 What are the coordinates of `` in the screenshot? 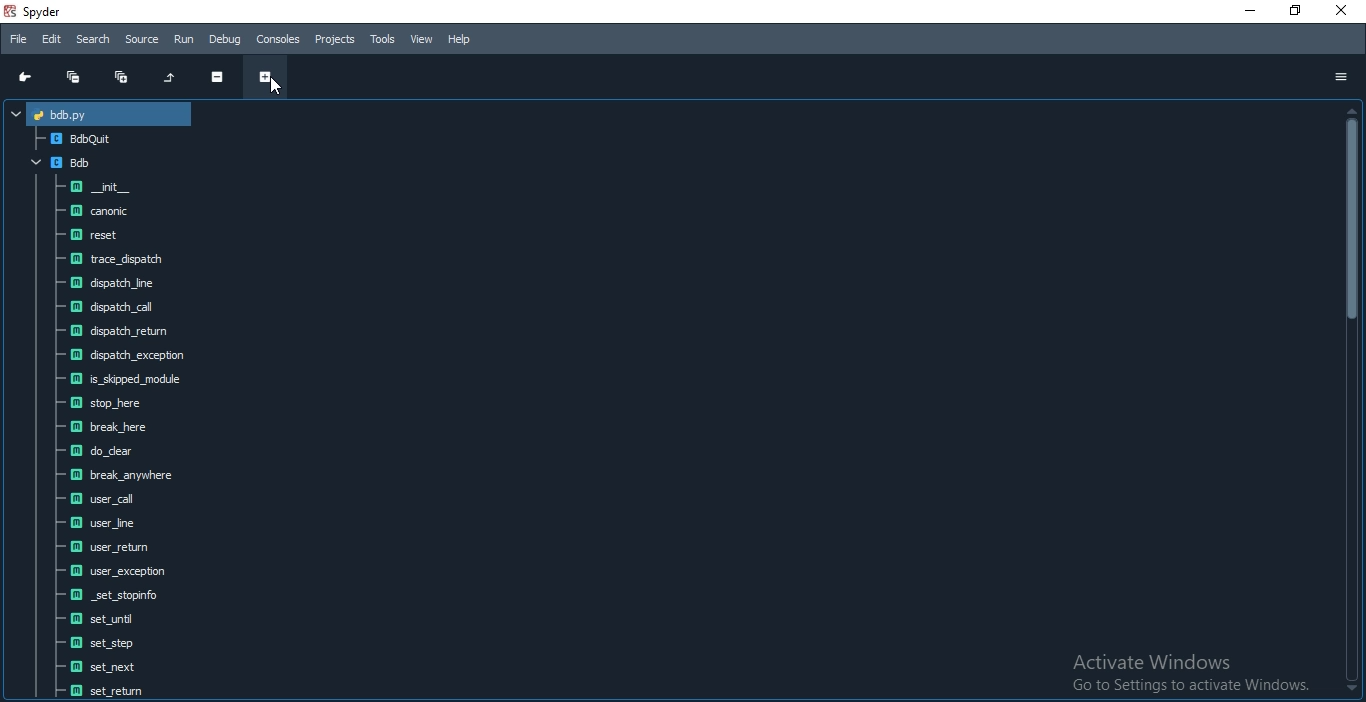 It's located at (1192, 673).